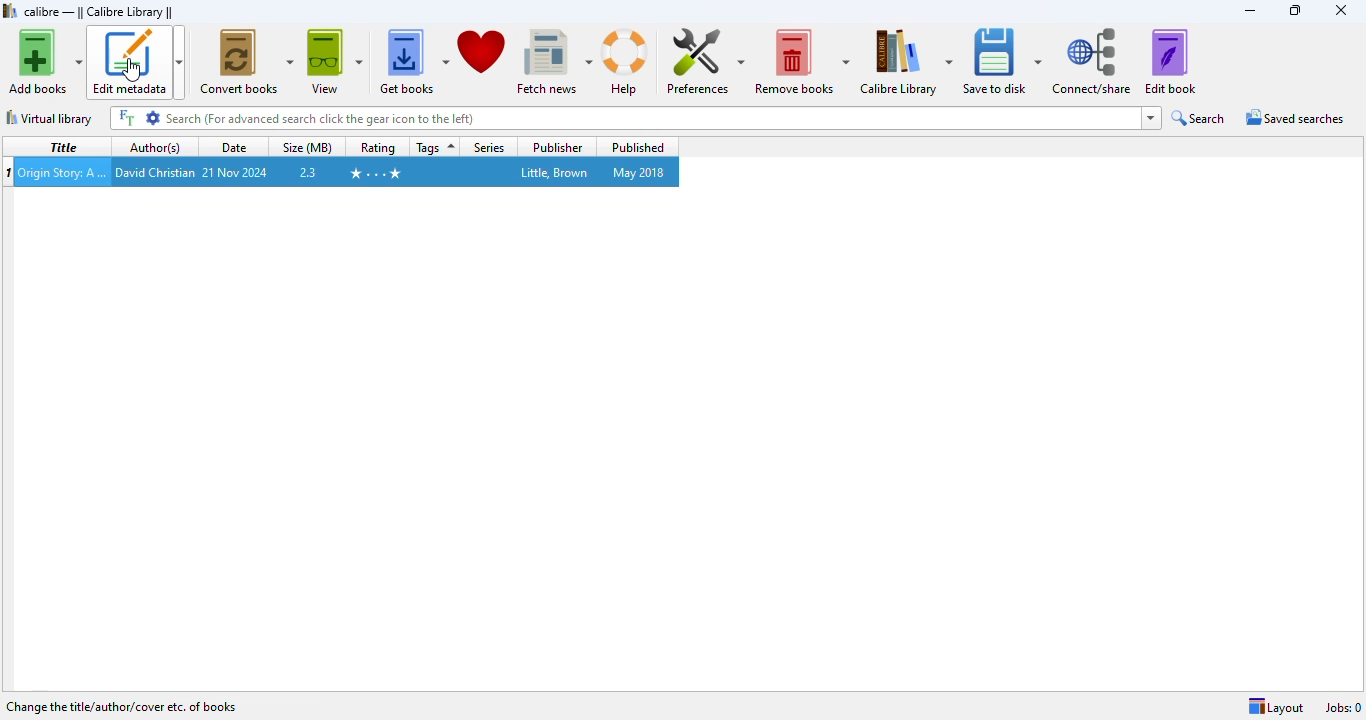 The height and width of the screenshot is (720, 1366). I want to click on preferences, so click(704, 60).